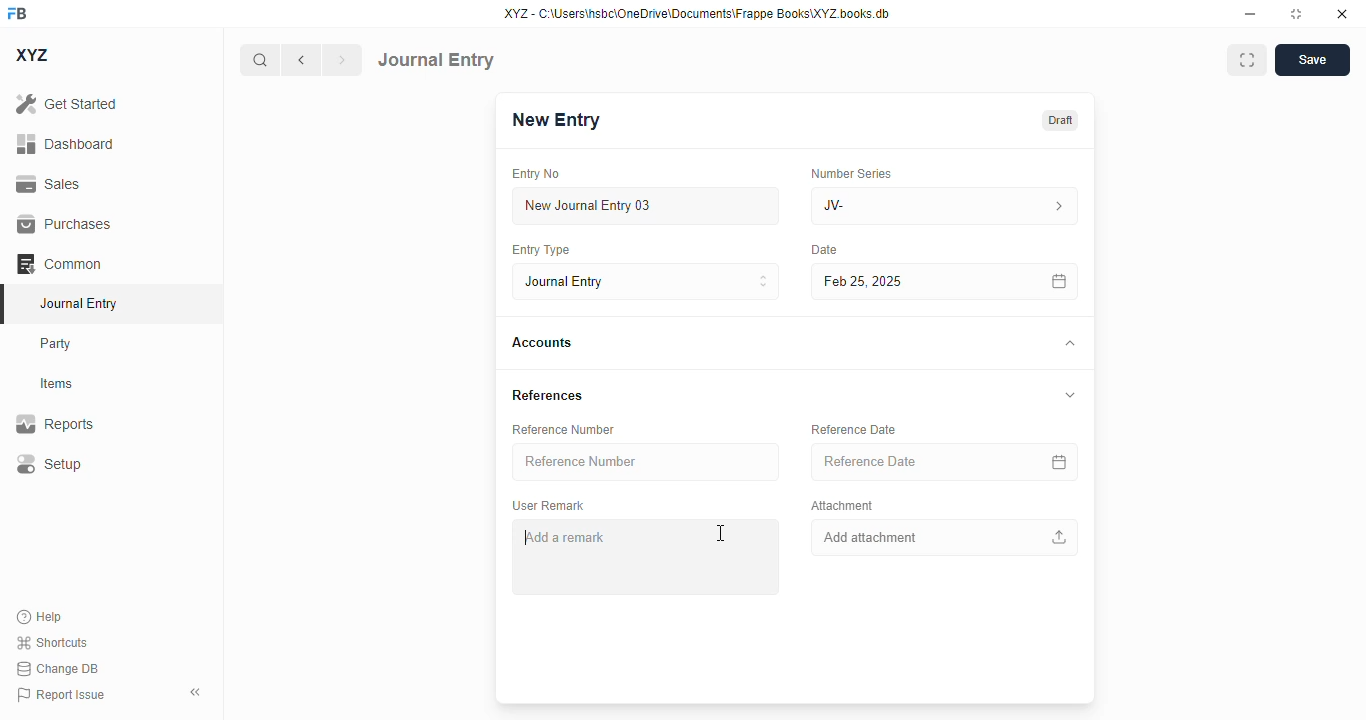 The height and width of the screenshot is (720, 1366). I want to click on common, so click(59, 264).